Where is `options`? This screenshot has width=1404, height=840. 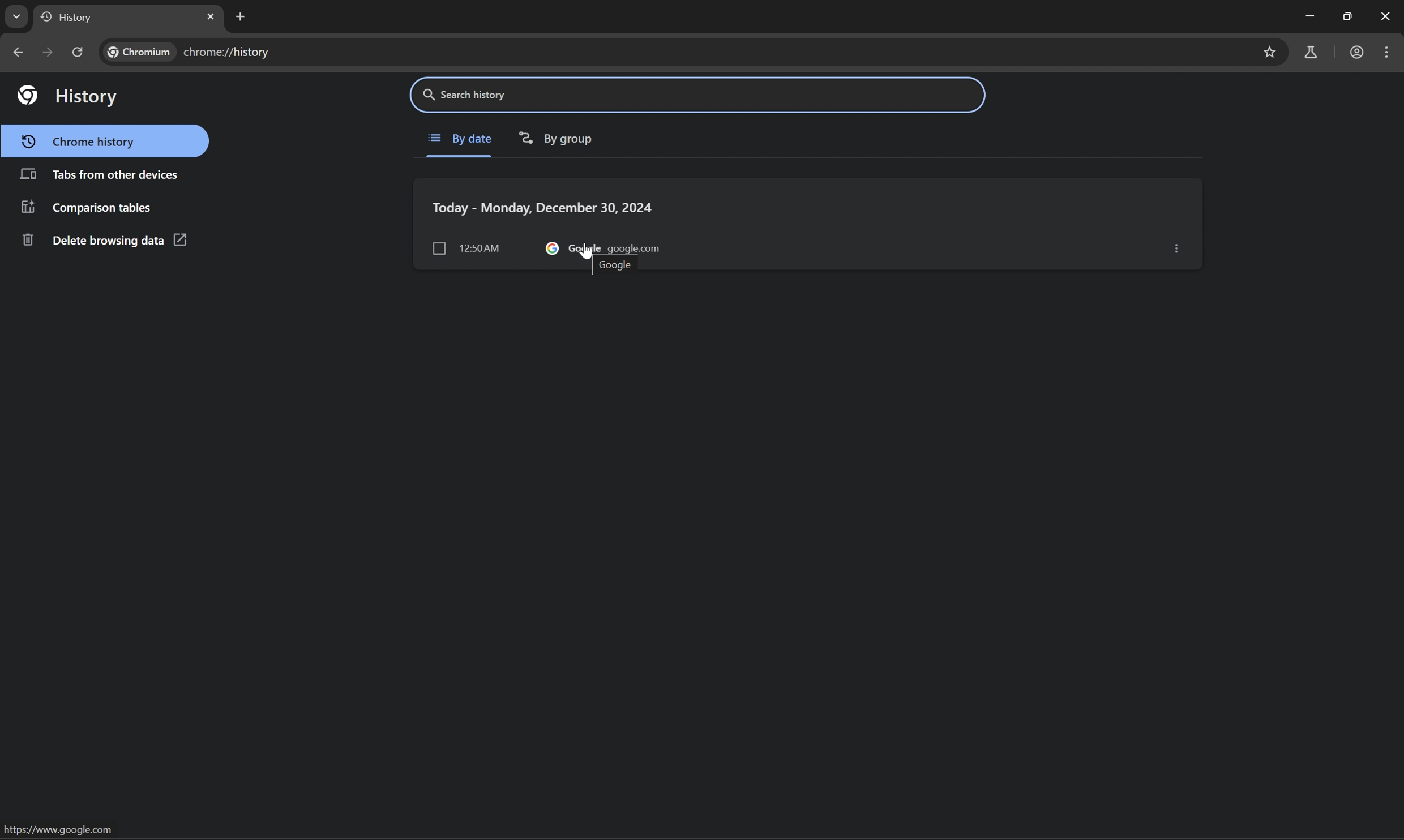 options is located at coordinates (1177, 249).